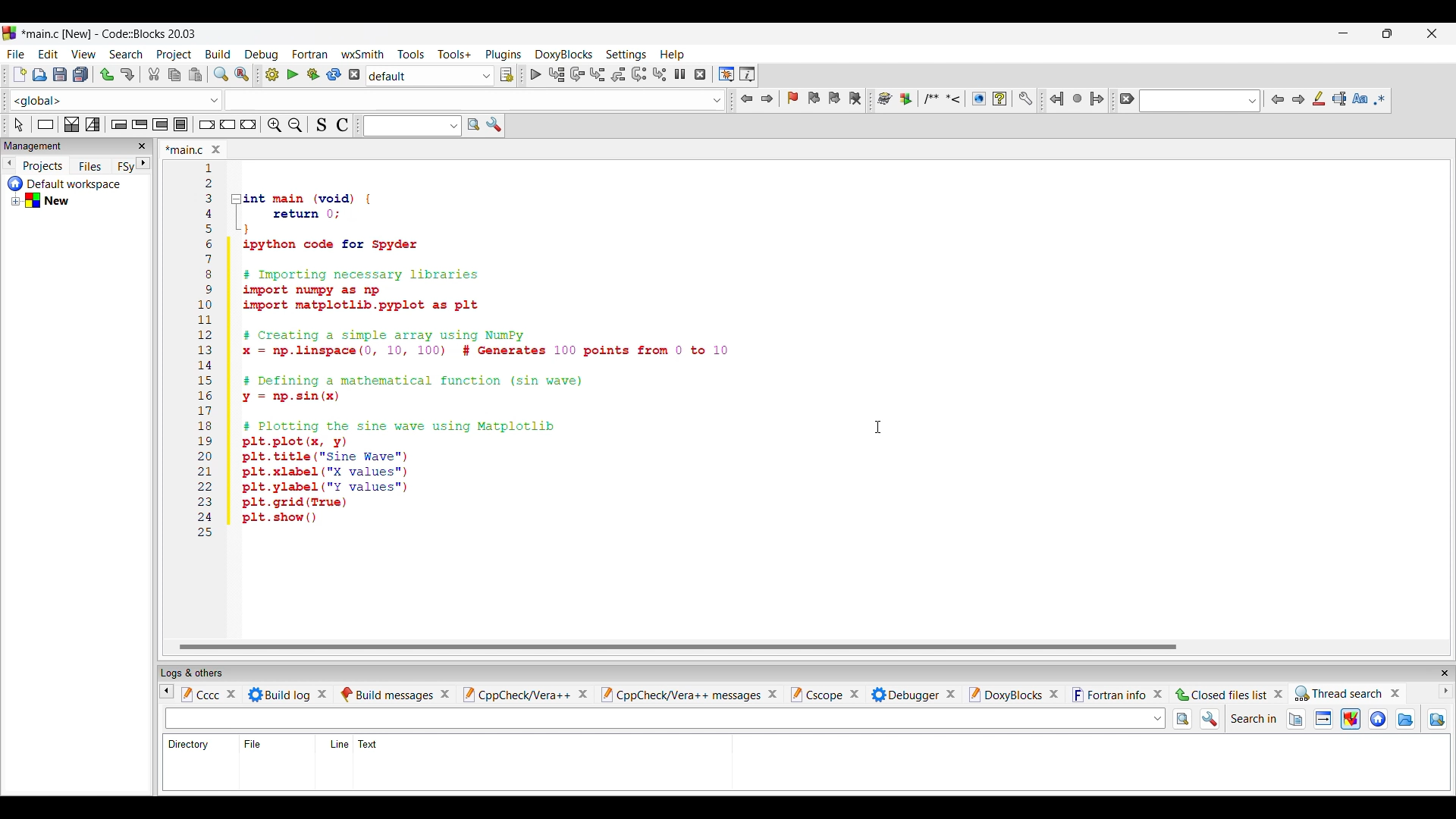  Describe the element at coordinates (310, 54) in the screenshot. I see `Fortran menu` at that location.